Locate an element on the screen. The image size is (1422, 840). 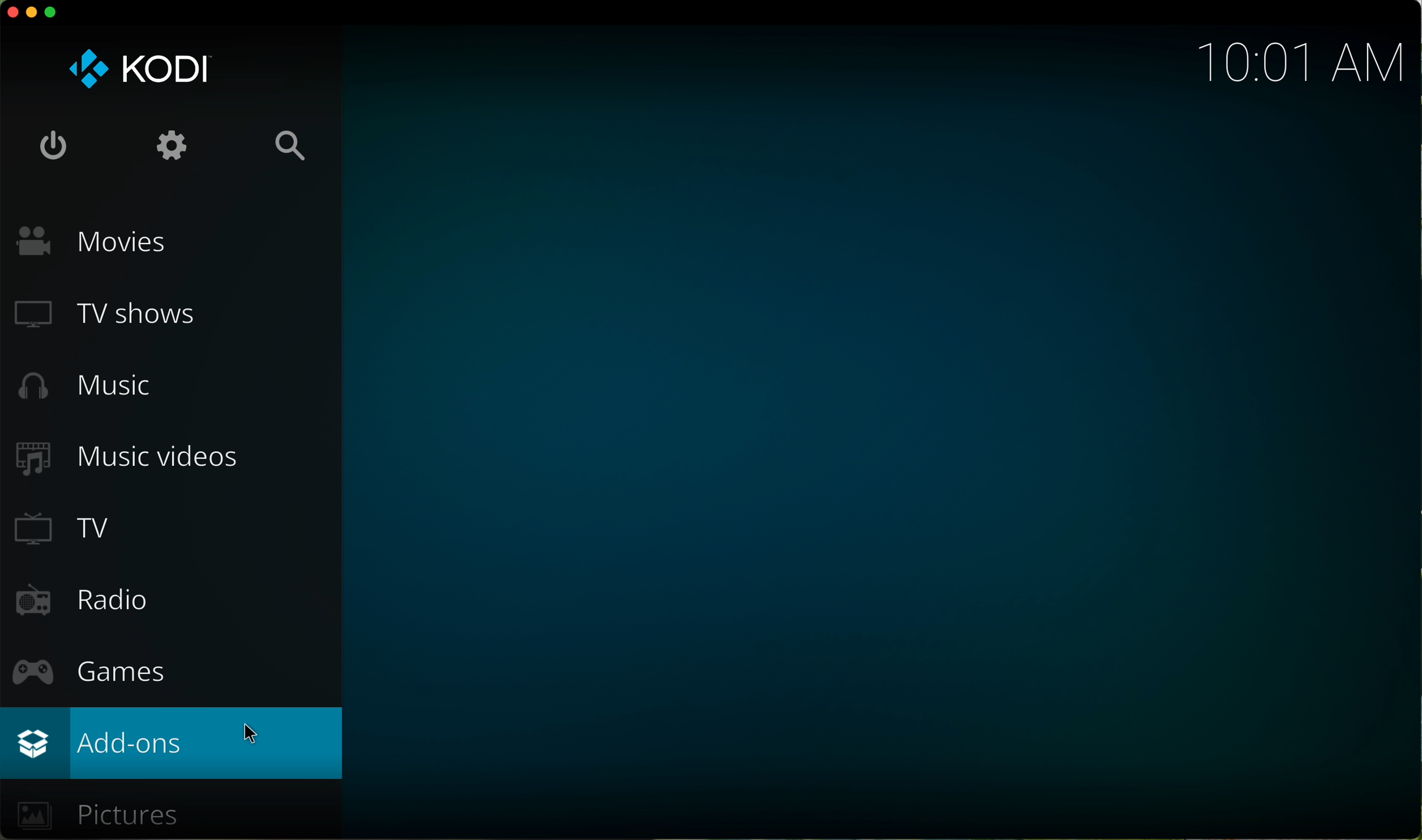
hour is located at coordinates (1296, 61).